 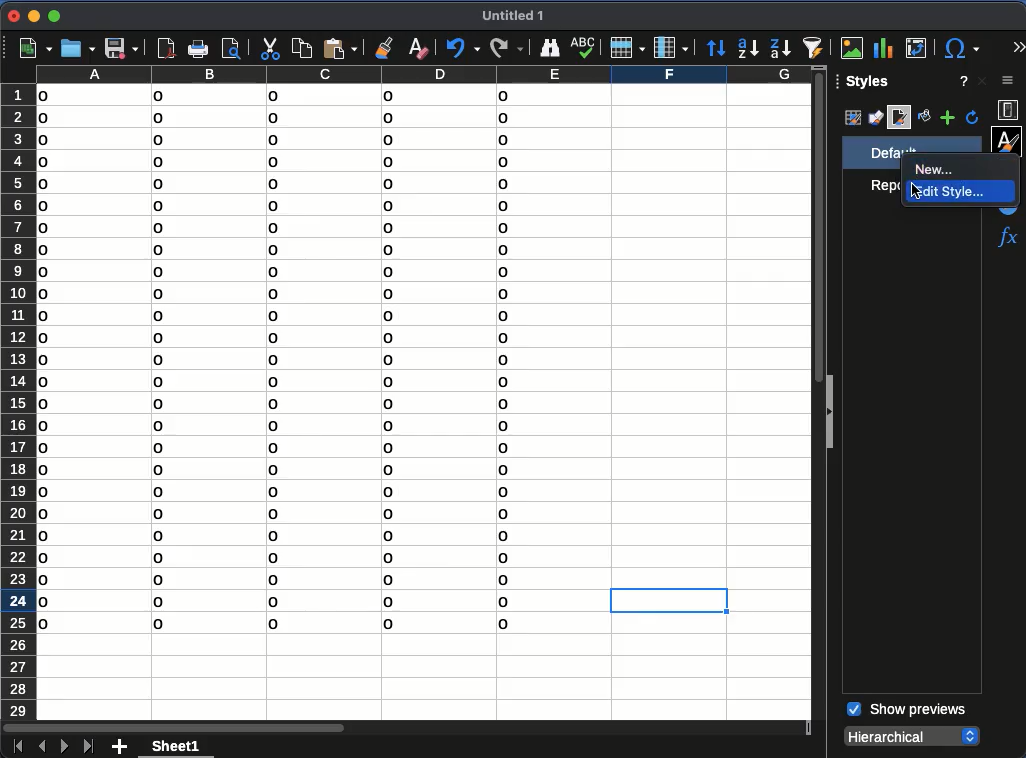 What do you see at coordinates (517, 17) in the screenshot?
I see `untitled` at bounding box center [517, 17].